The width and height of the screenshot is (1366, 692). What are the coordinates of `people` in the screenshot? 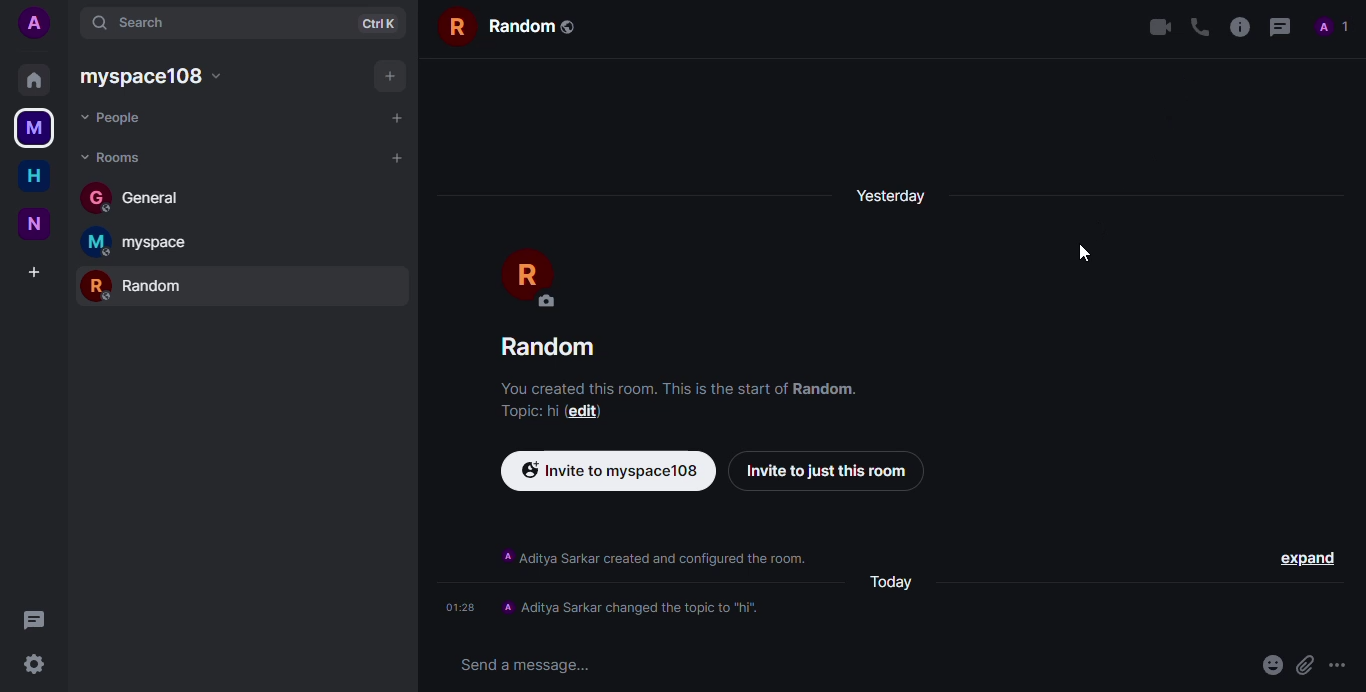 It's located at (117, 118).